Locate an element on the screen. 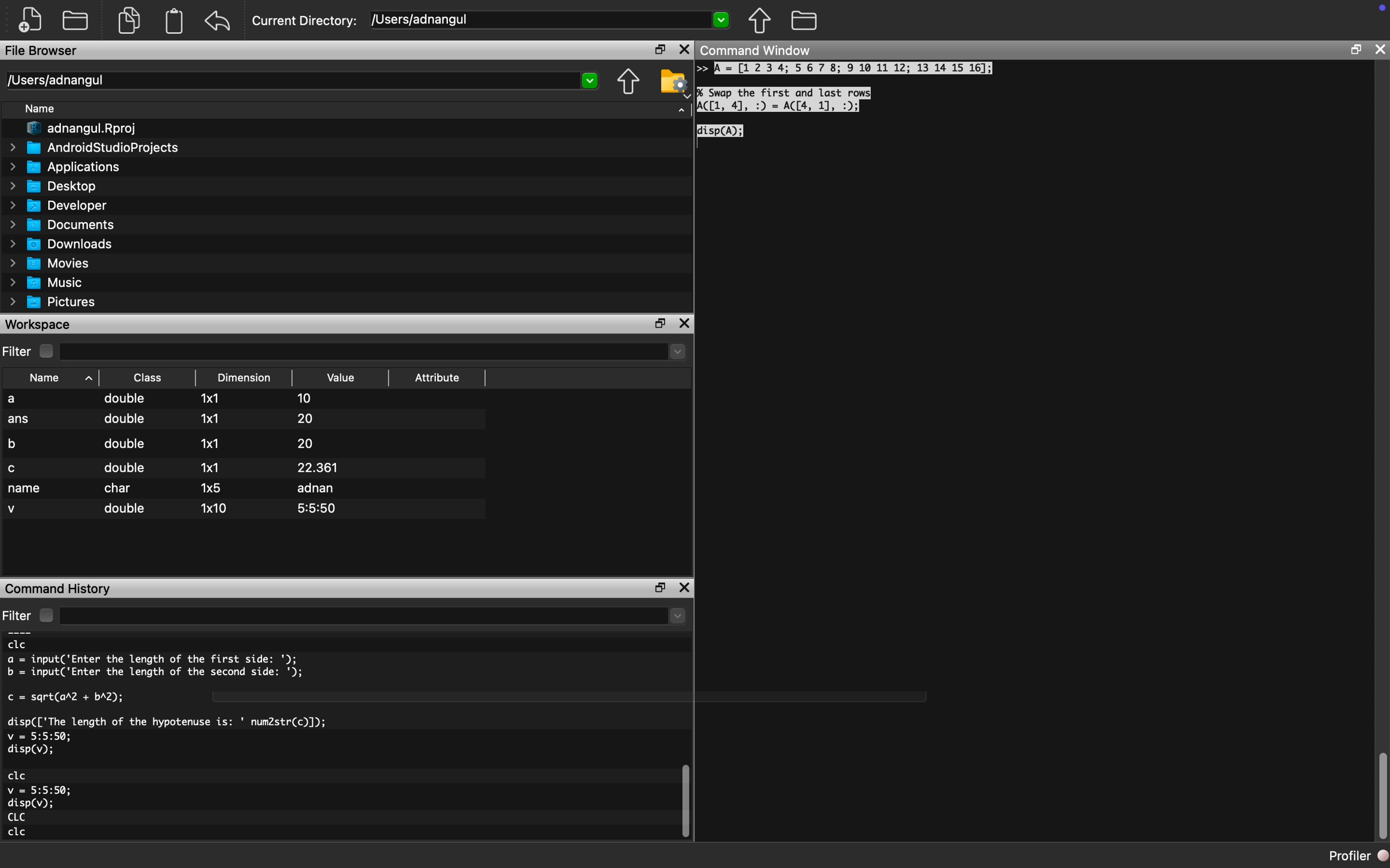 The height and width of the screenshot is (868, 1390). > [BB Desktop is located at coordinates (56, 186).